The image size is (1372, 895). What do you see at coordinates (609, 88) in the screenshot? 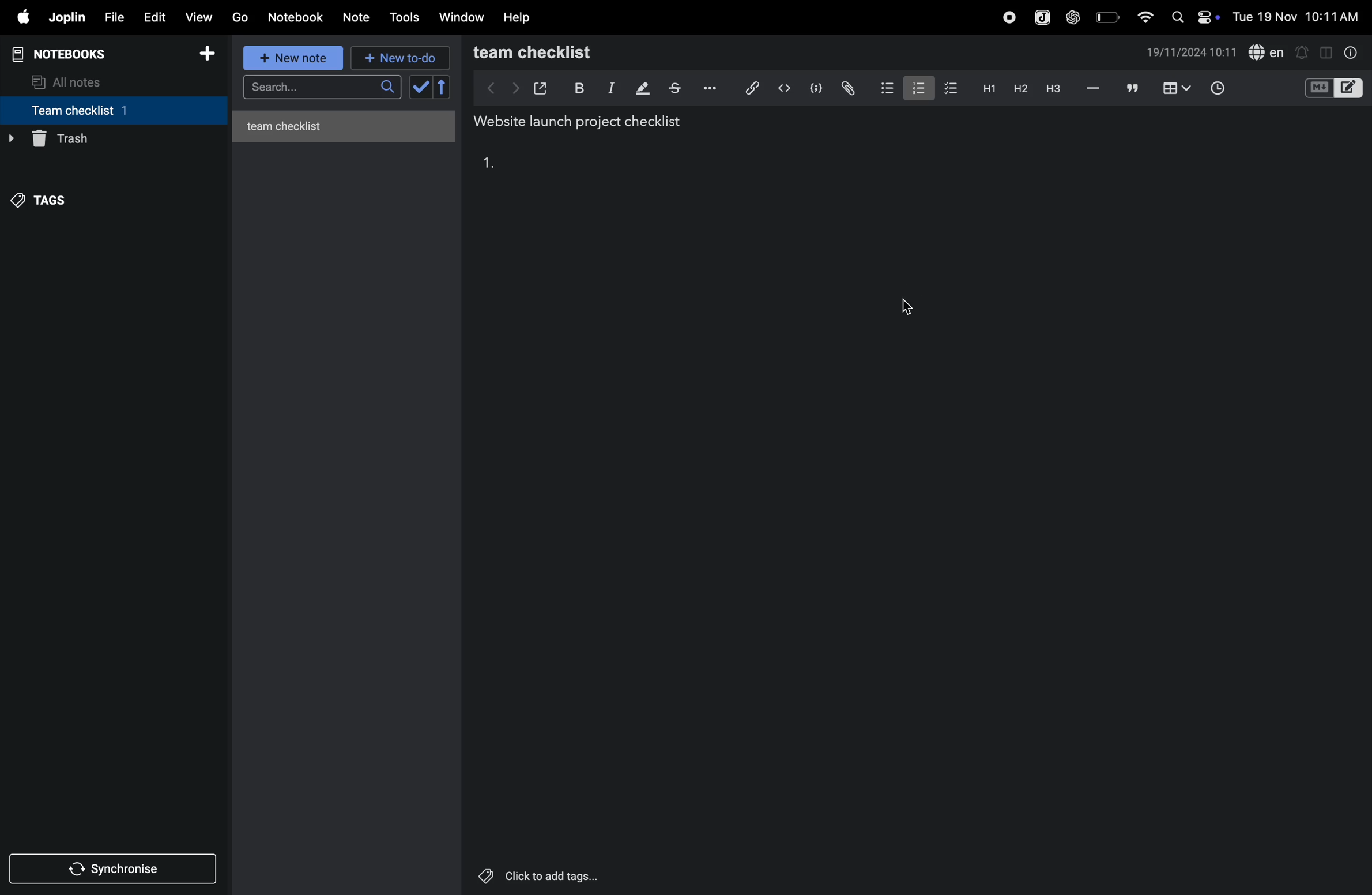
I see `itallic` at bounding box center [609, 88].